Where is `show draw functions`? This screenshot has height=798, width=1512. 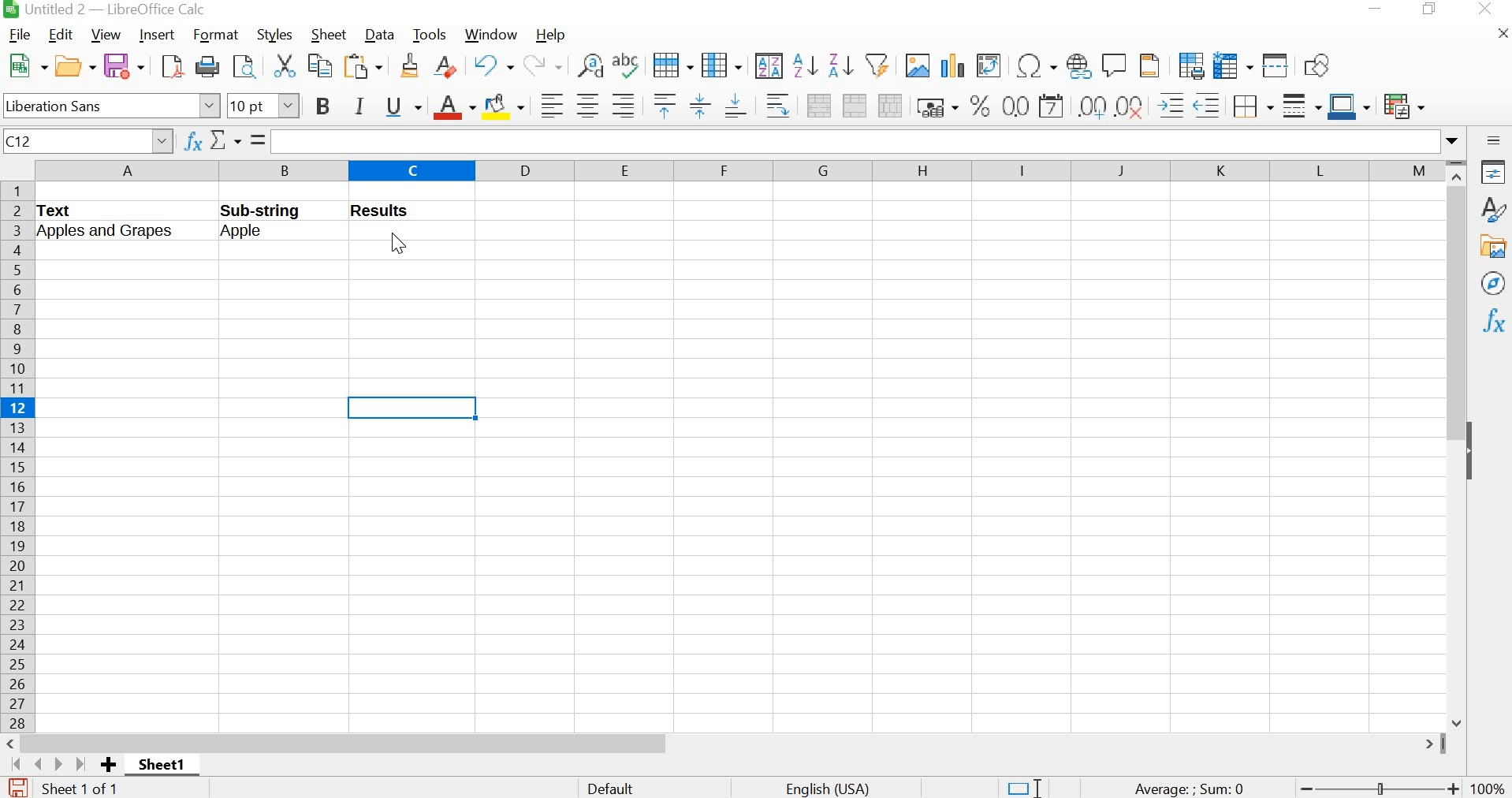 show draw functions is located at coordinates (1319, 65).